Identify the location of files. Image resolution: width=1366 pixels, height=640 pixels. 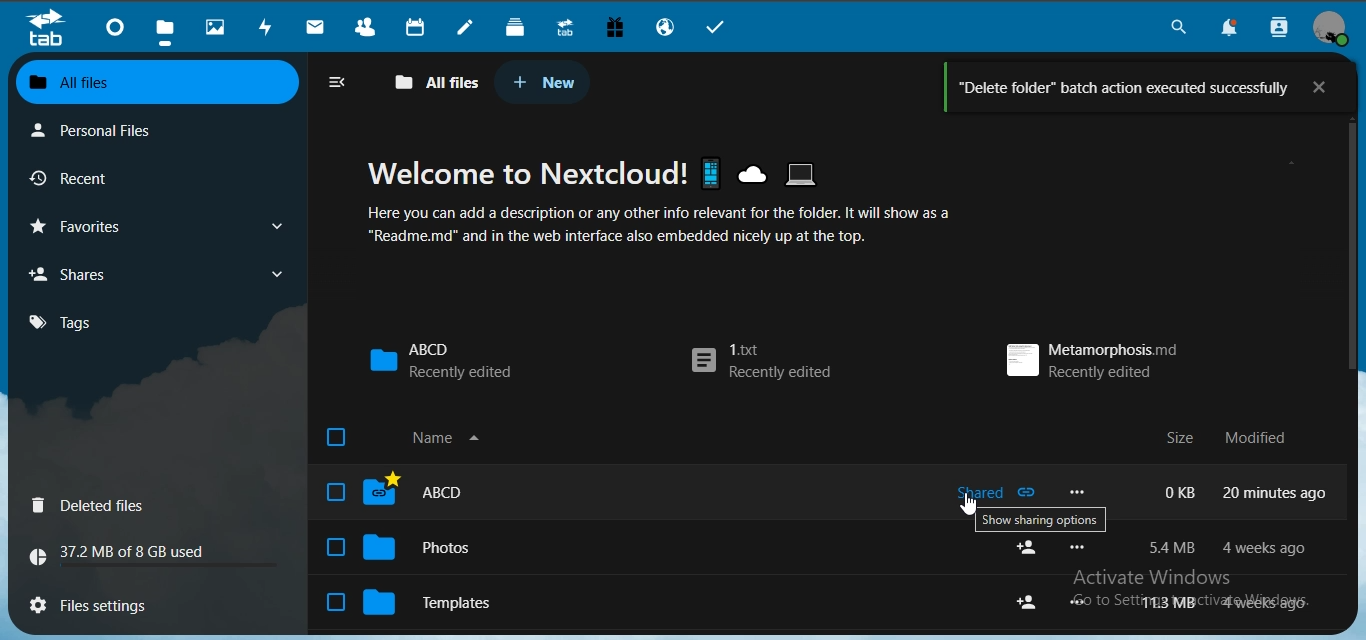
(166, 26).